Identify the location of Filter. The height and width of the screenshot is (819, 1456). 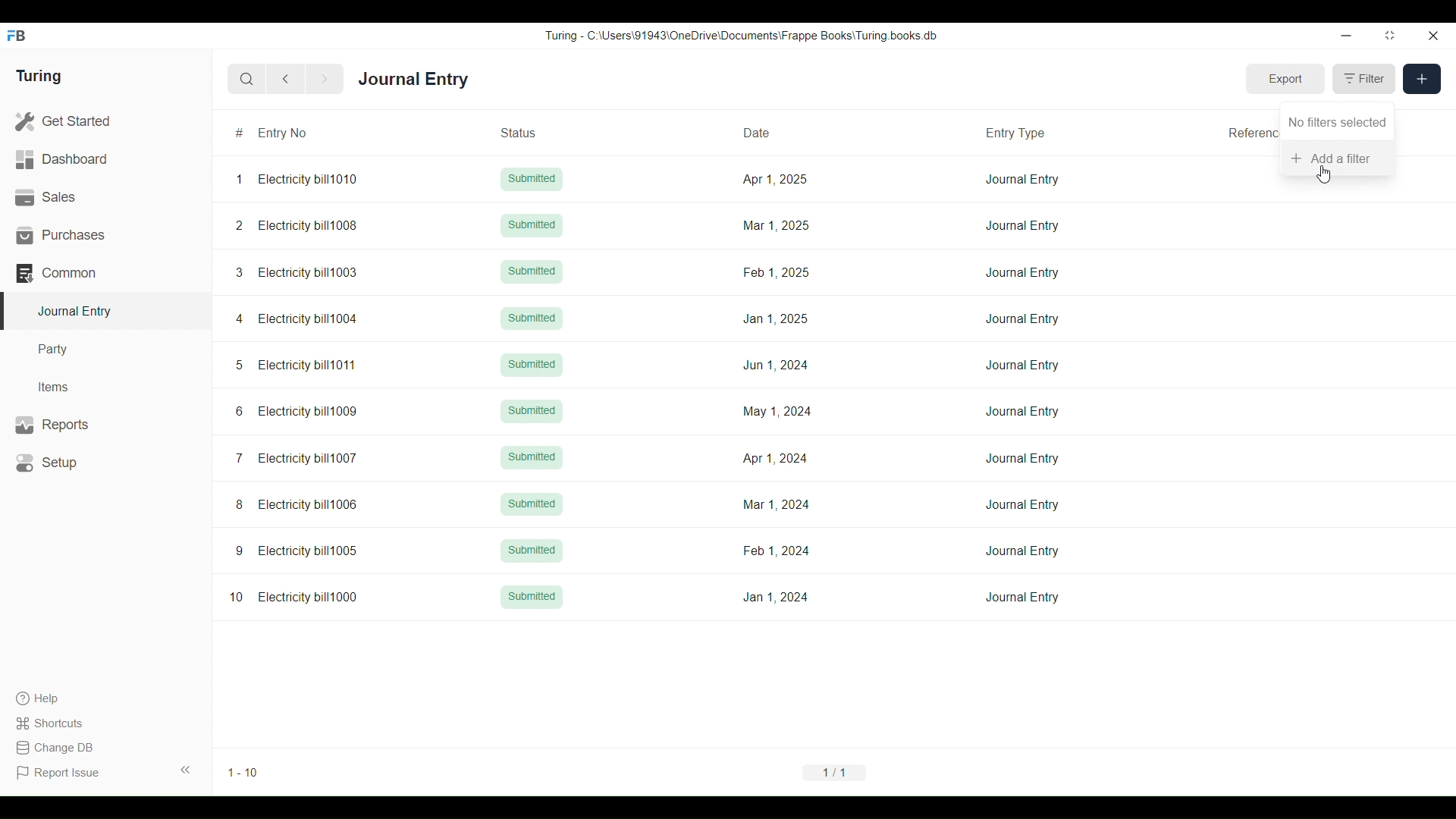
(1364, 79).